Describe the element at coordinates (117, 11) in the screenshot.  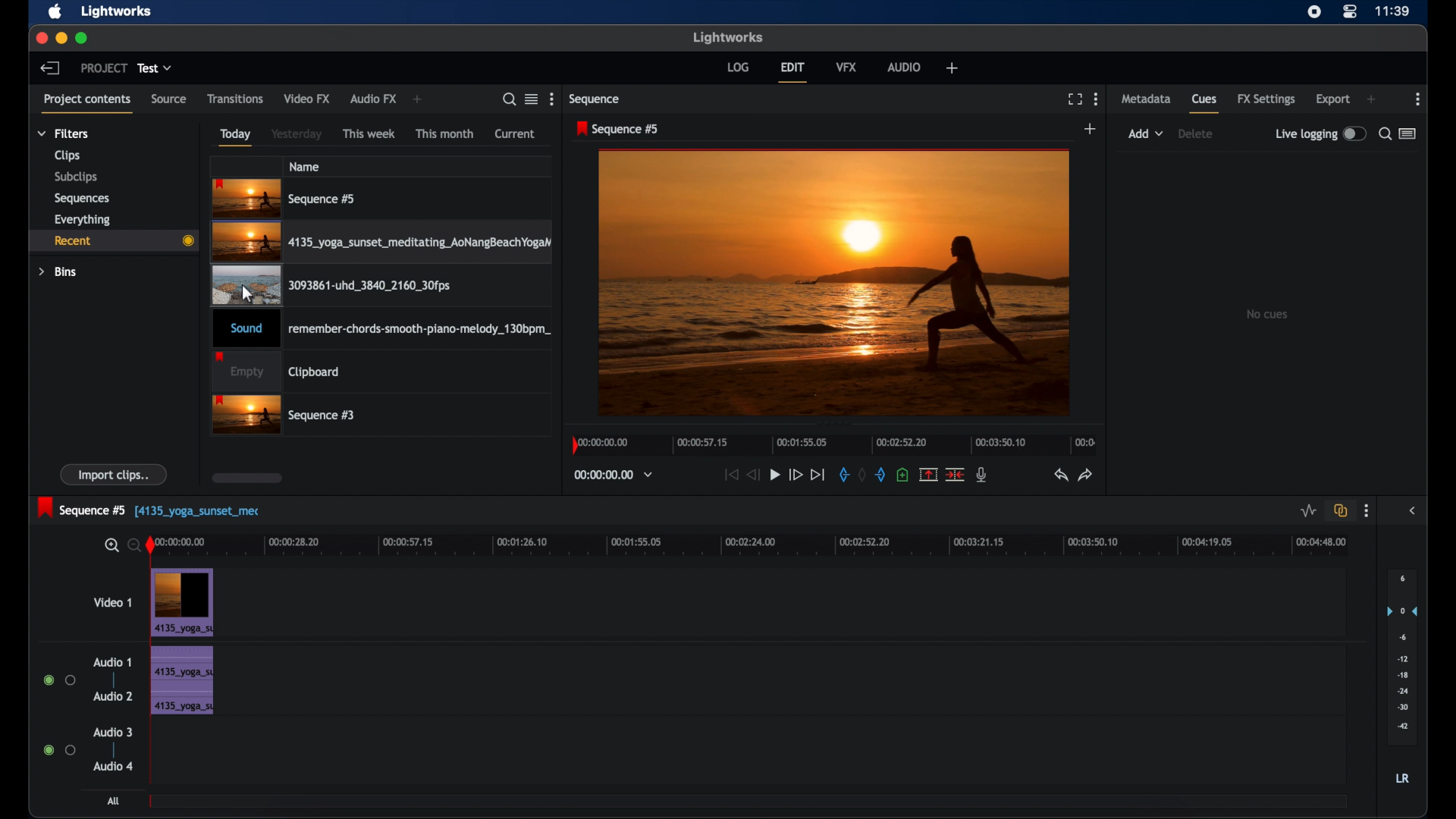
I see `lightworks` at that location.